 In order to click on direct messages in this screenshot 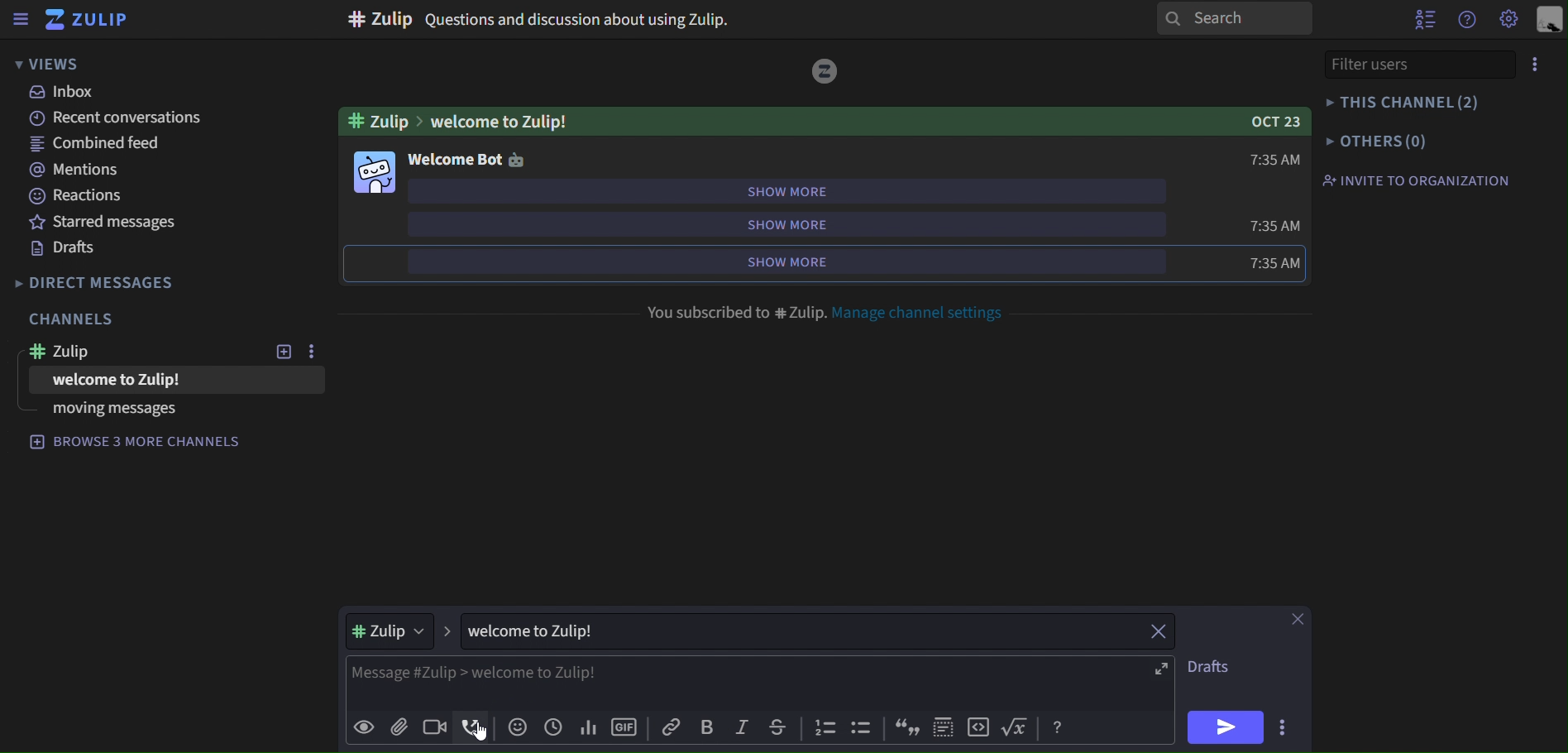, I will do `click(97, 282)`.